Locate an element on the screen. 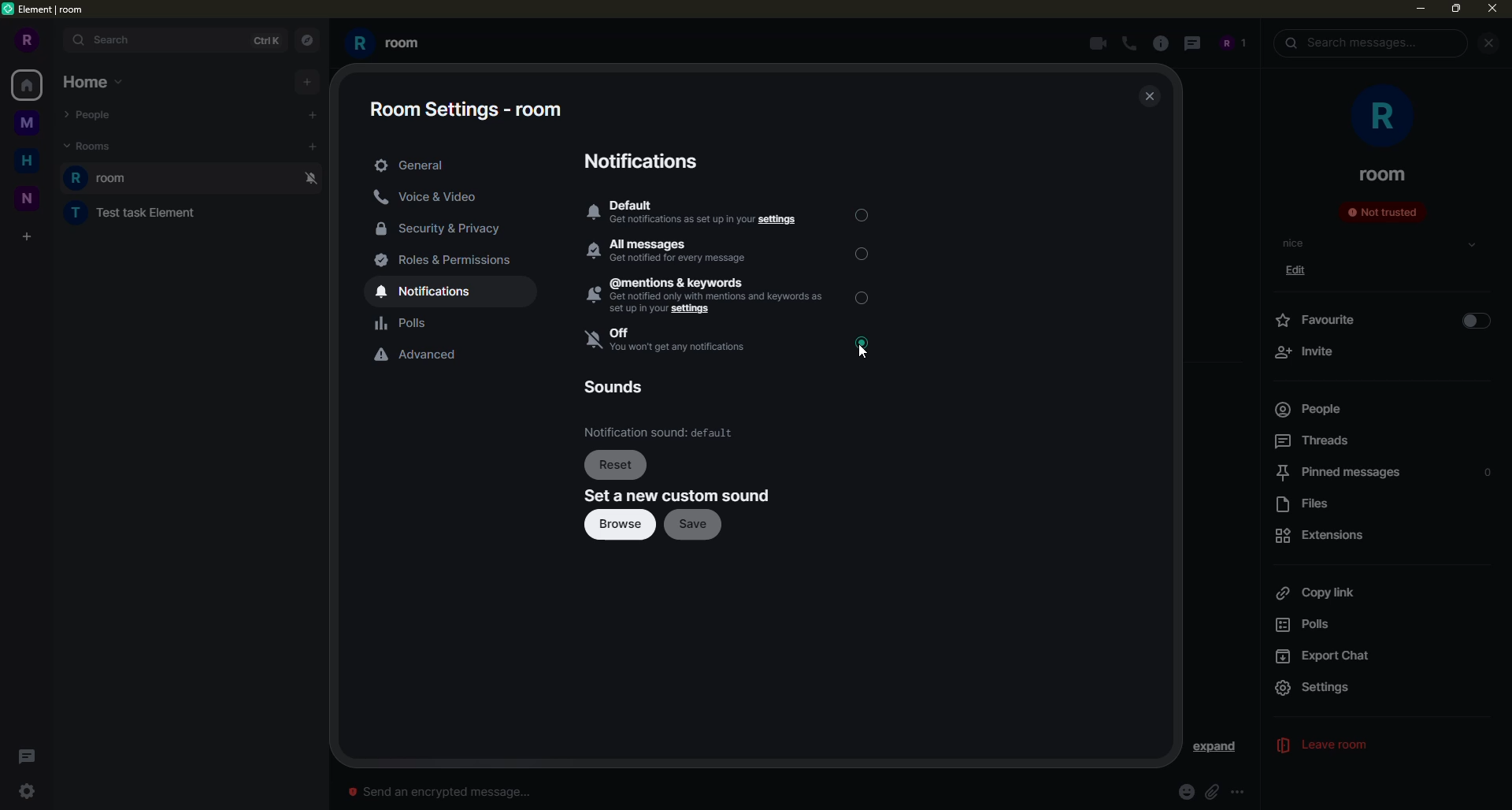 This screenshot has width=1512, height=810. home is located at coordinates (93, 83).